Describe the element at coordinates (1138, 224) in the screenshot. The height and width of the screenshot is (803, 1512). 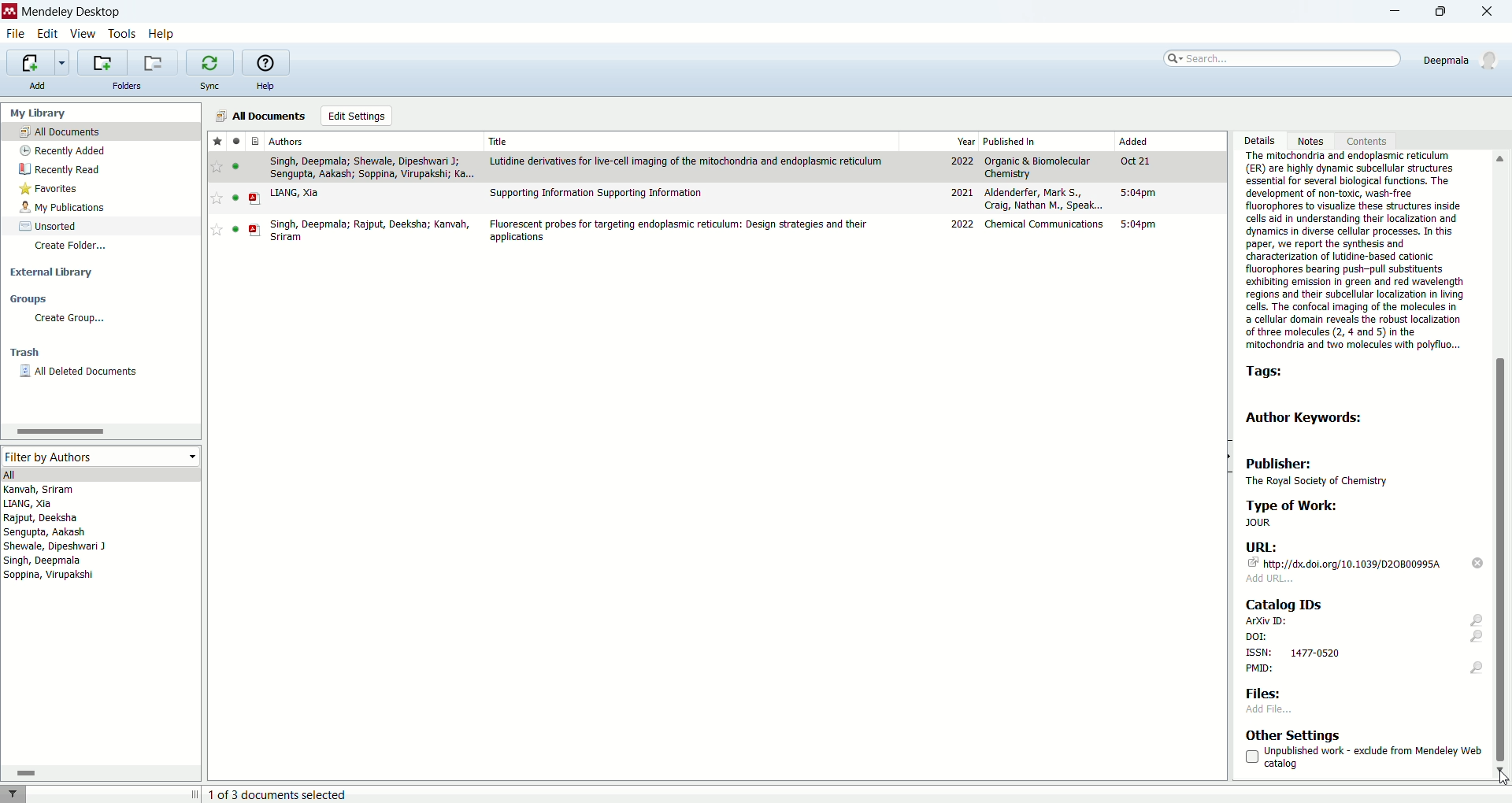
I see `5:04pm` at that location.